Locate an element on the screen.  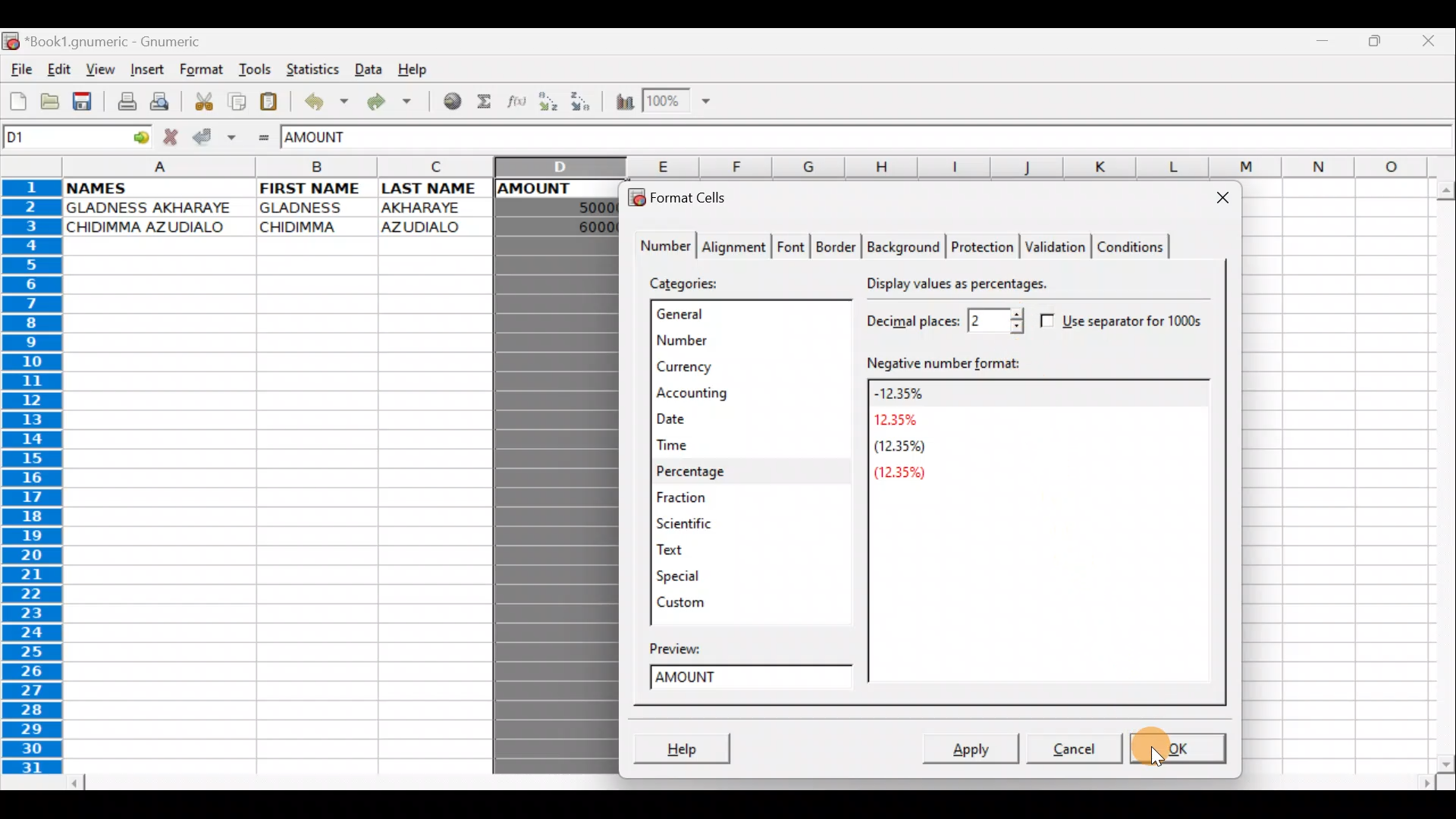
Save current workbook is located at coordinates (82, 101).